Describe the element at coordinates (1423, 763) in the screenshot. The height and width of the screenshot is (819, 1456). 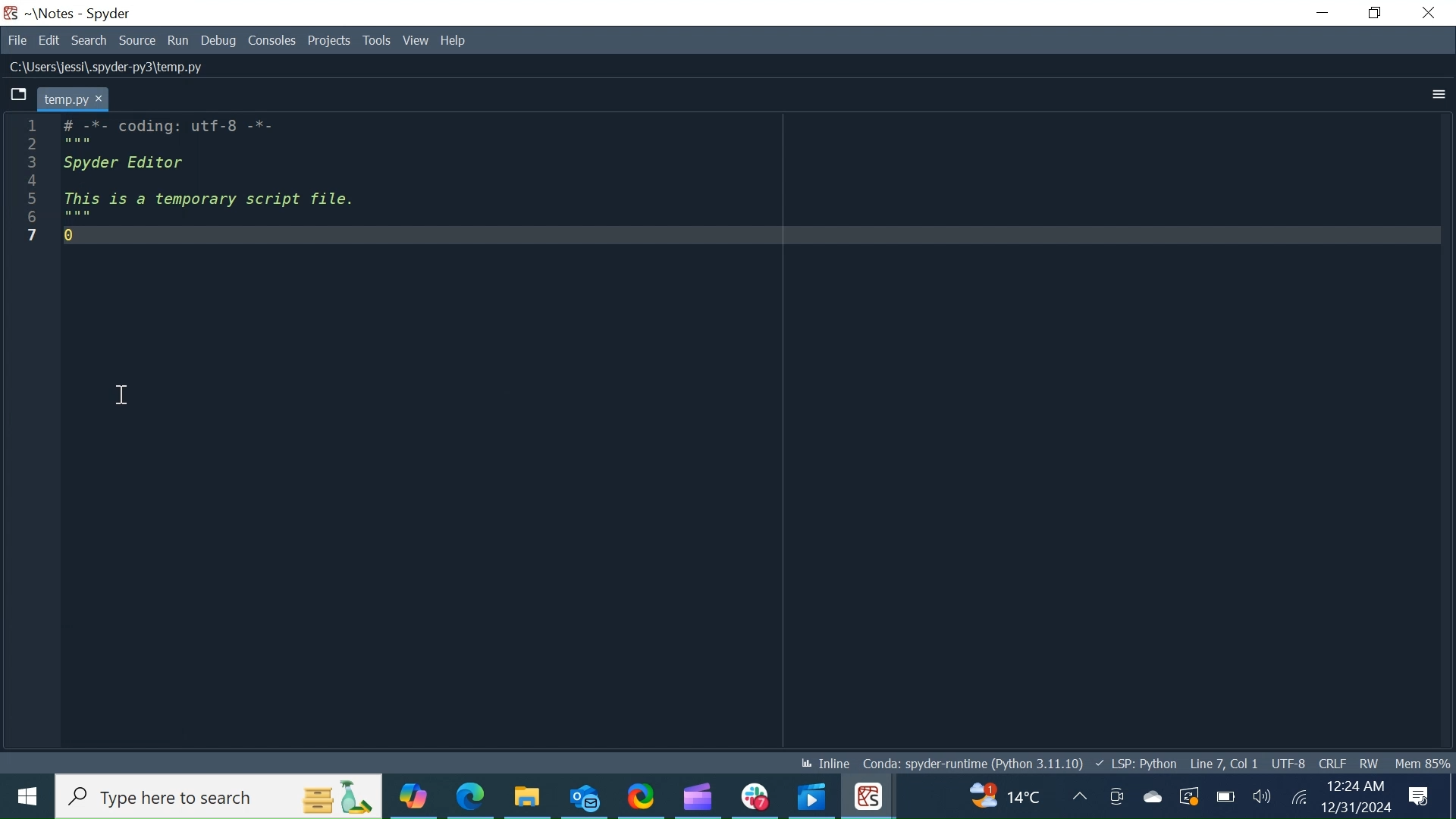
I see `Mem 85%` at that location.